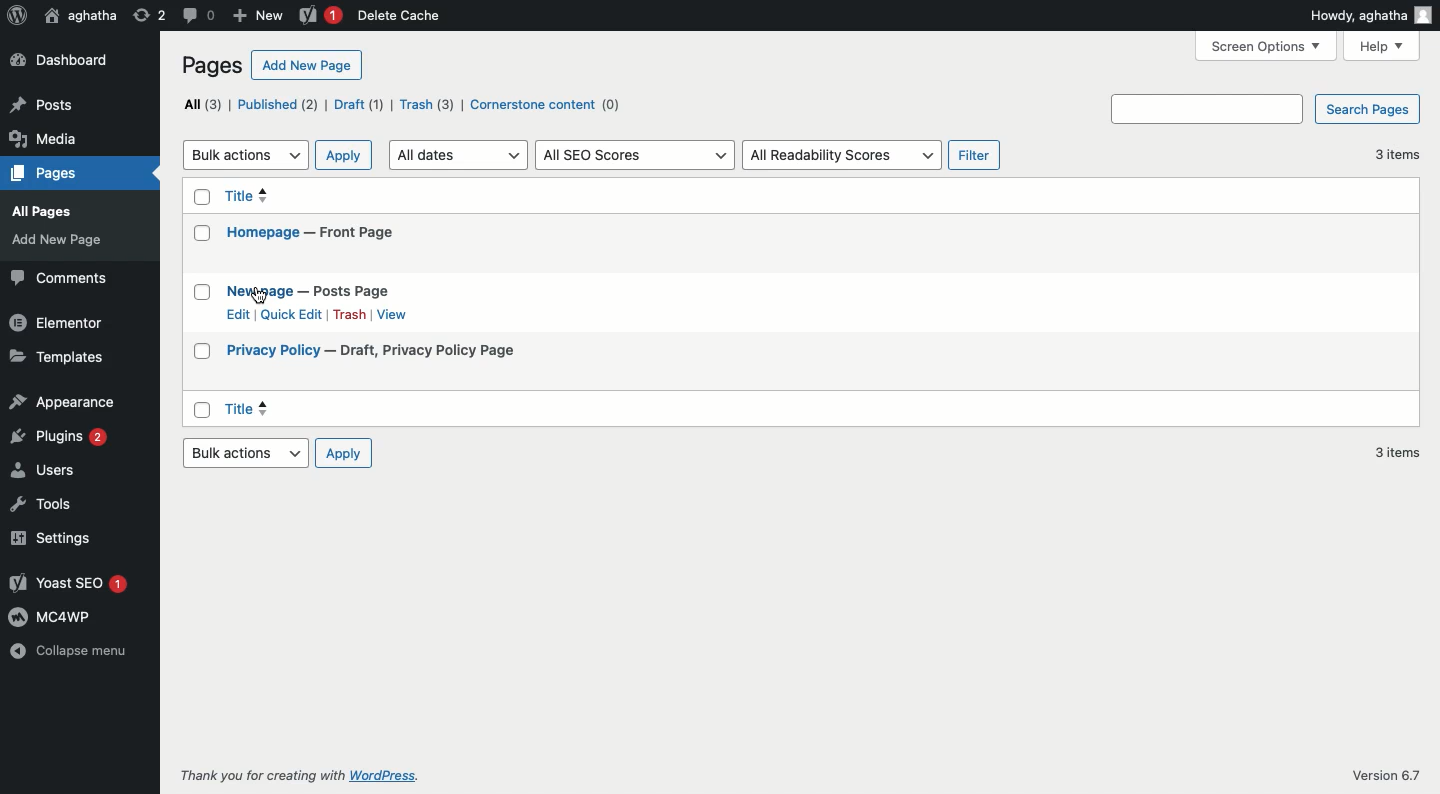 Image resolution: width=1440 pixels, height=794 pixels. Describe the element at coordinates (274, 104) in the screenshot. I see `Published` at that location.